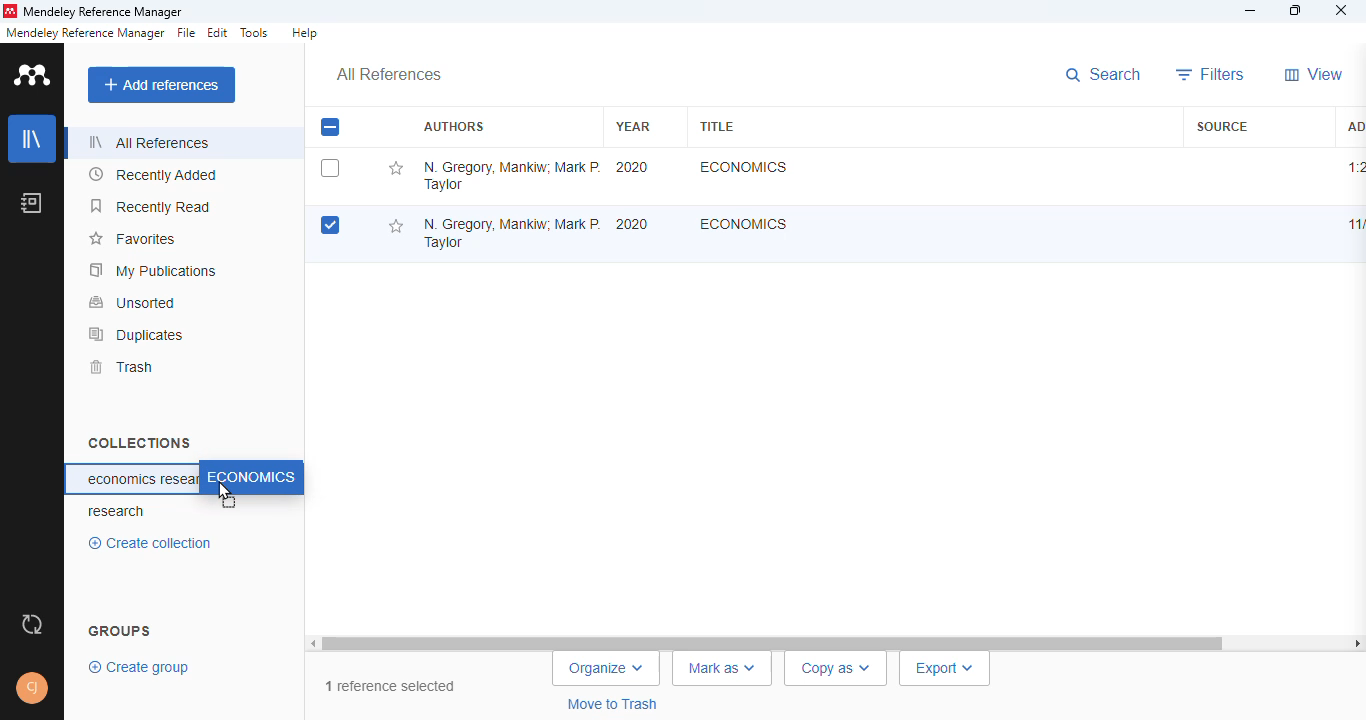 The image size is (1366, 720). What do you see at coordinates (605, 670) in the screenshot?
I see `organize` at bounding box center [605, 670].